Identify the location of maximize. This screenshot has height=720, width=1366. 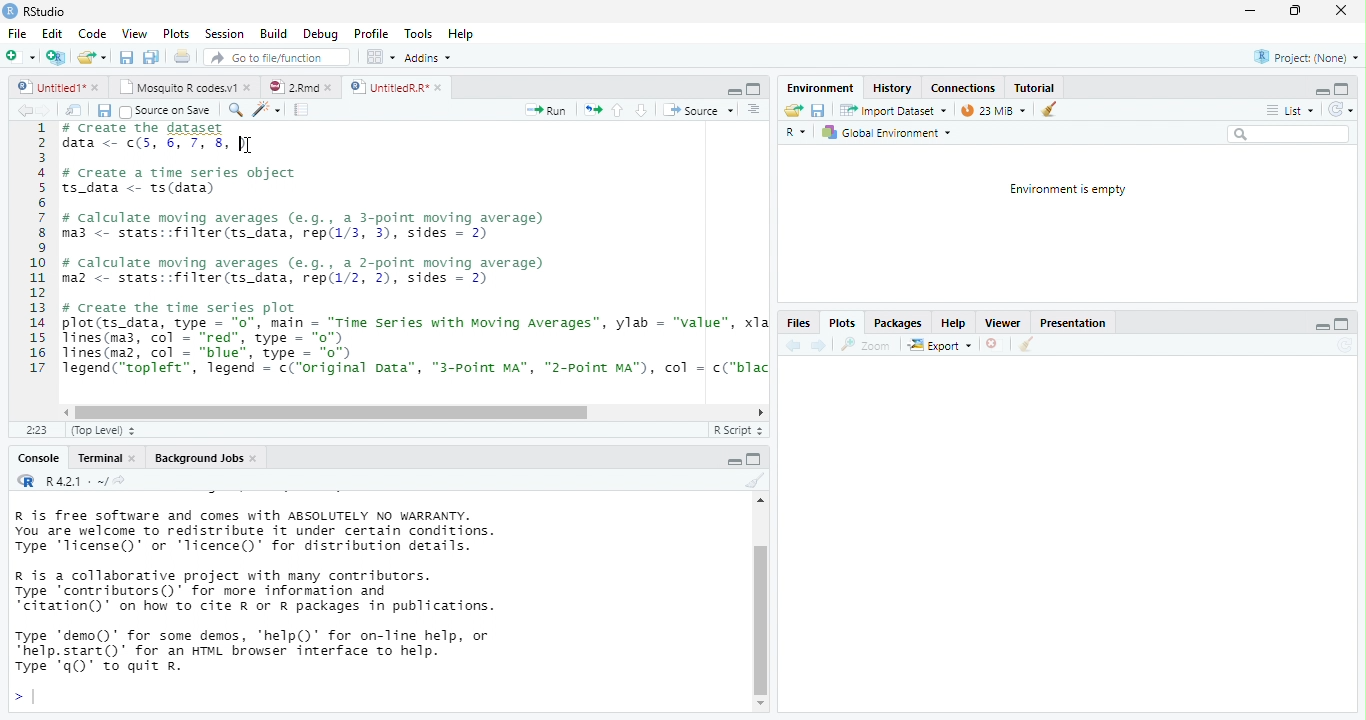
(754, 89).